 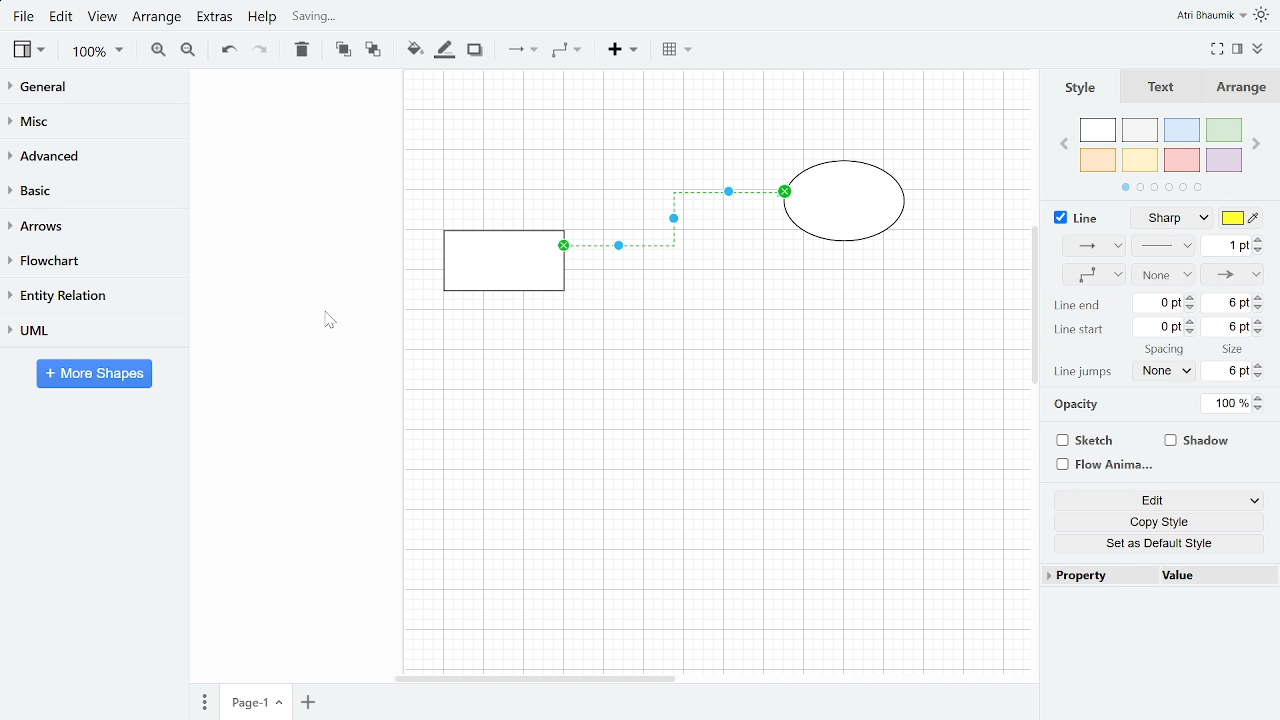 I want to click on Entity relation, so click(x=91, y=294).